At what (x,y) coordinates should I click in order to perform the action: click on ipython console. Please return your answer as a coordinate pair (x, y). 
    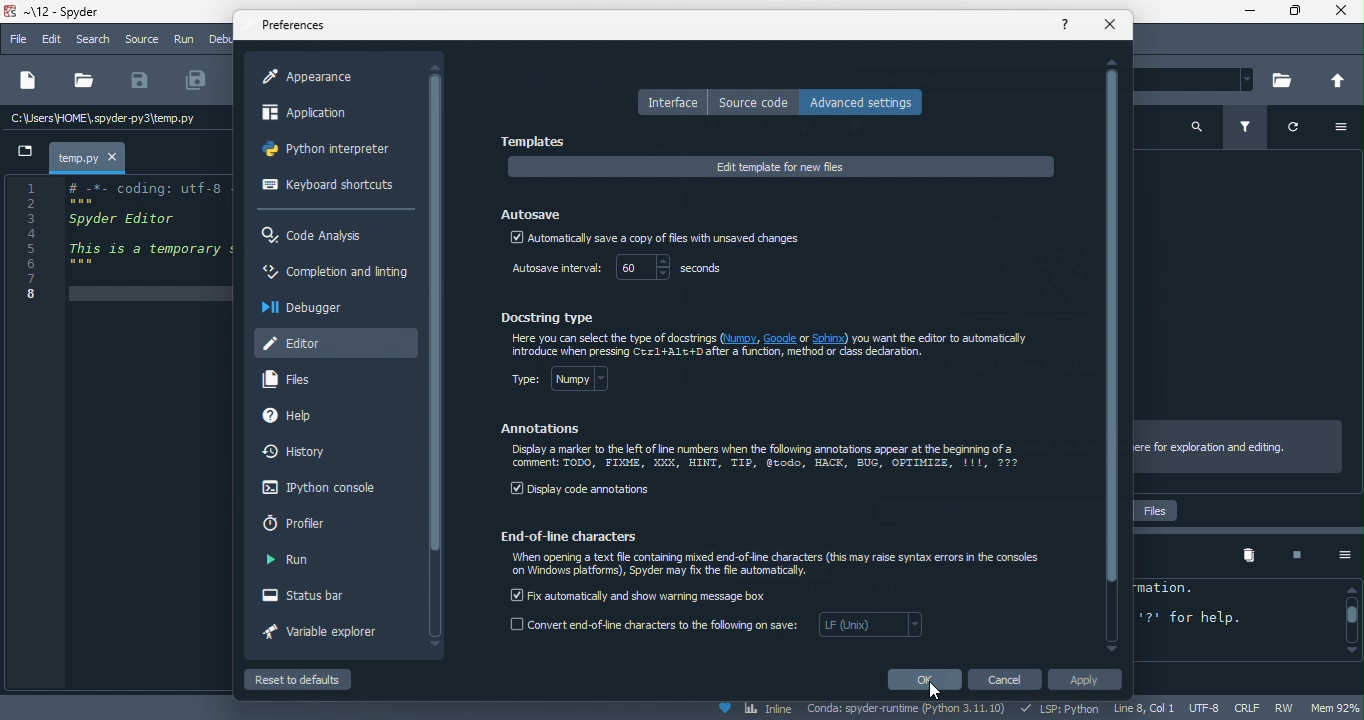
    Looking at the image, I should click on (315, 489).